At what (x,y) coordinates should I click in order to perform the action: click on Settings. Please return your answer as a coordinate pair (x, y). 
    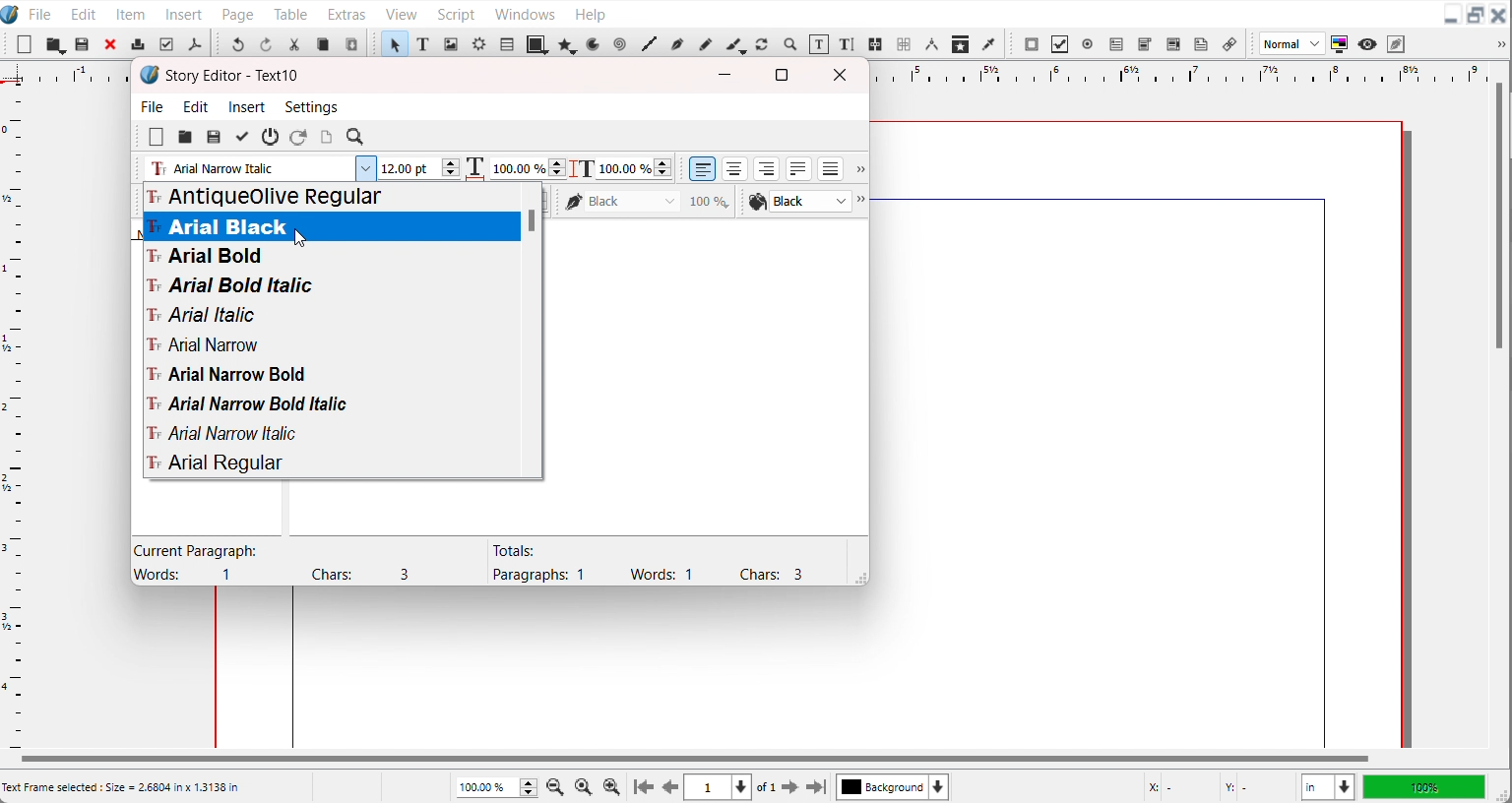
    Looking at the image, I should click on (311, 106).